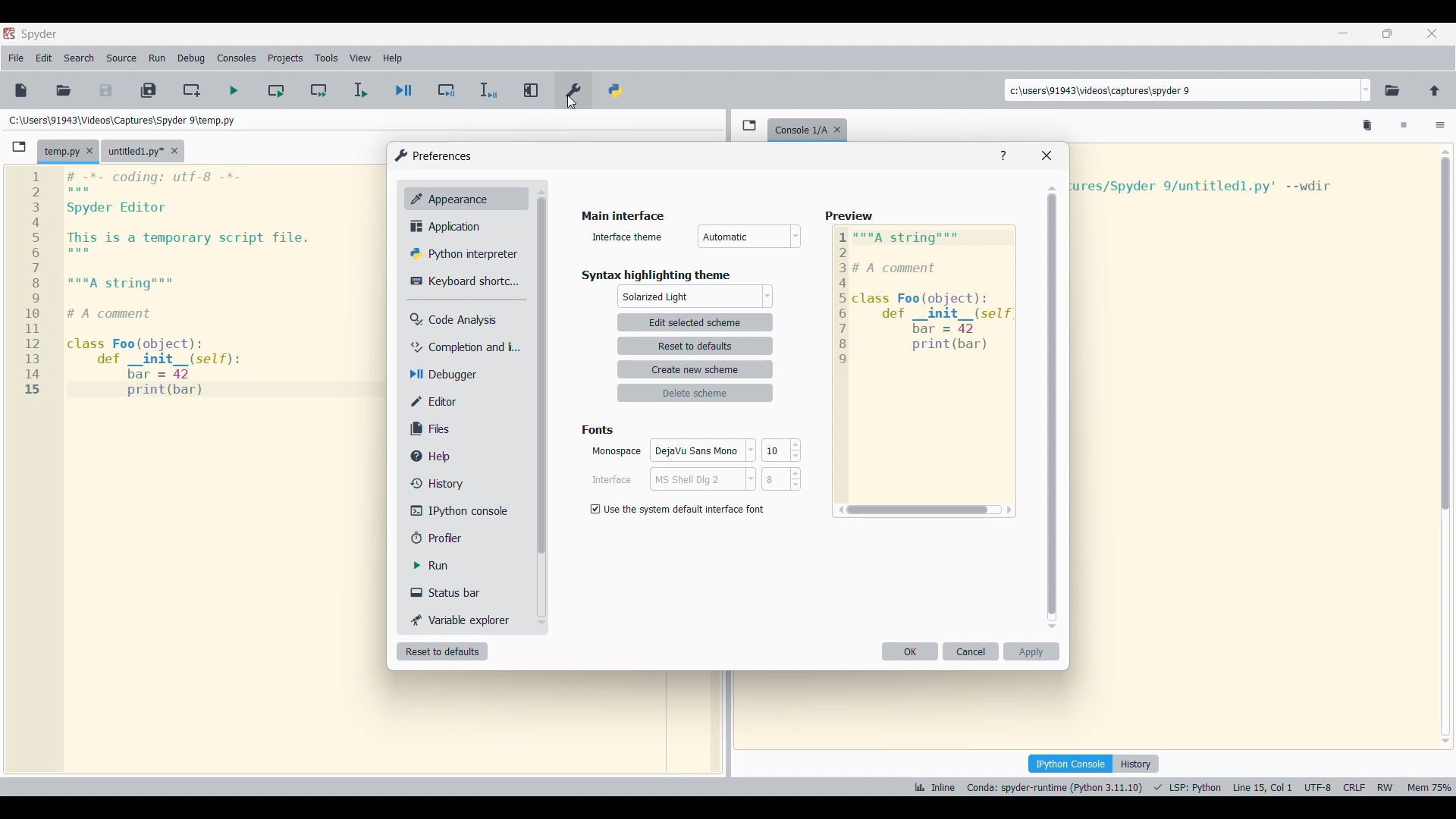 The image size is (1456, 819). What do you see at coordinates (360, 91) in the screenshot?
I see `Run selection/current line` at bounding box center [360, 91].